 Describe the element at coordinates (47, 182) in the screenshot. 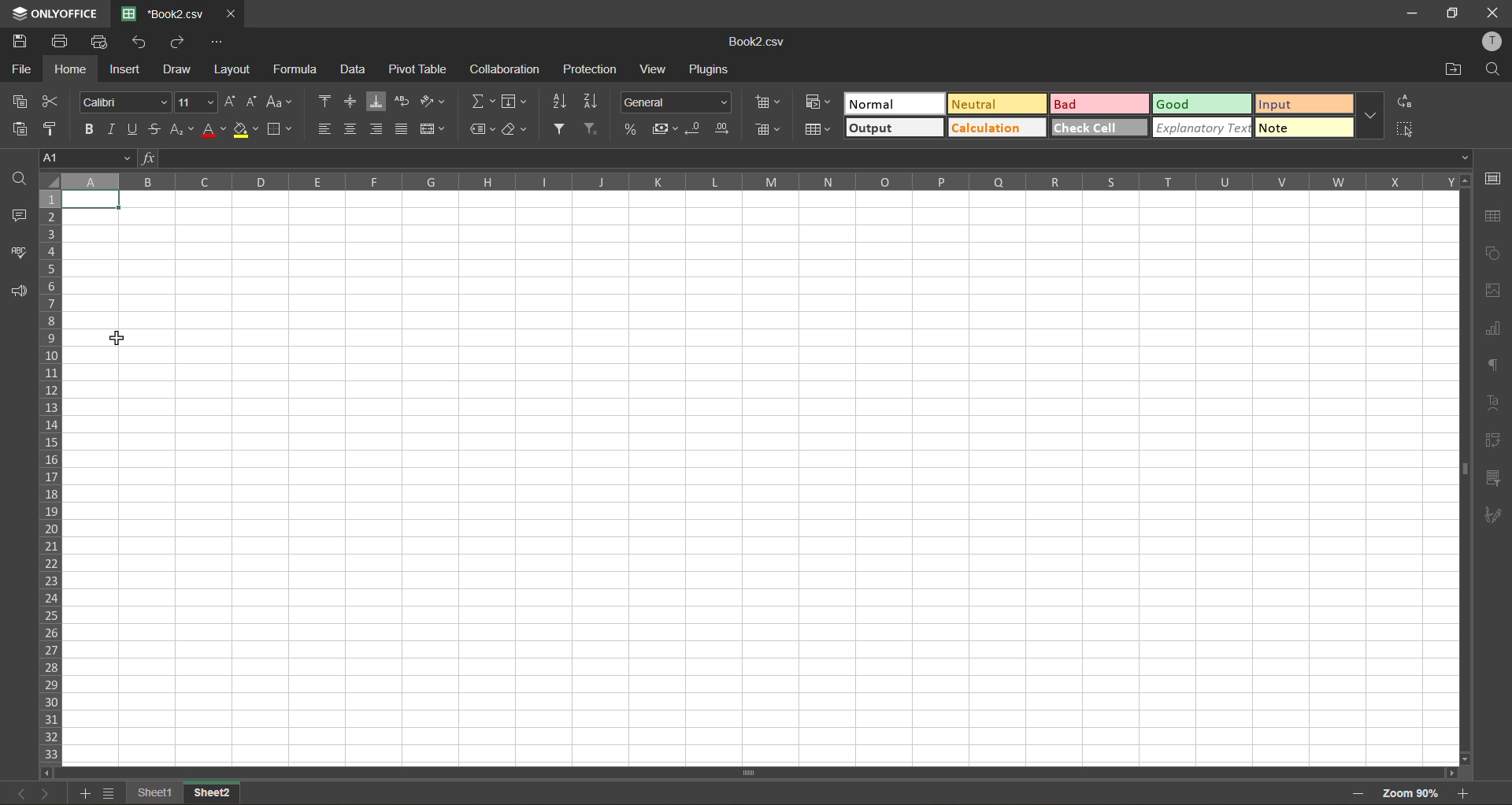

I see `select all cells` at that location.